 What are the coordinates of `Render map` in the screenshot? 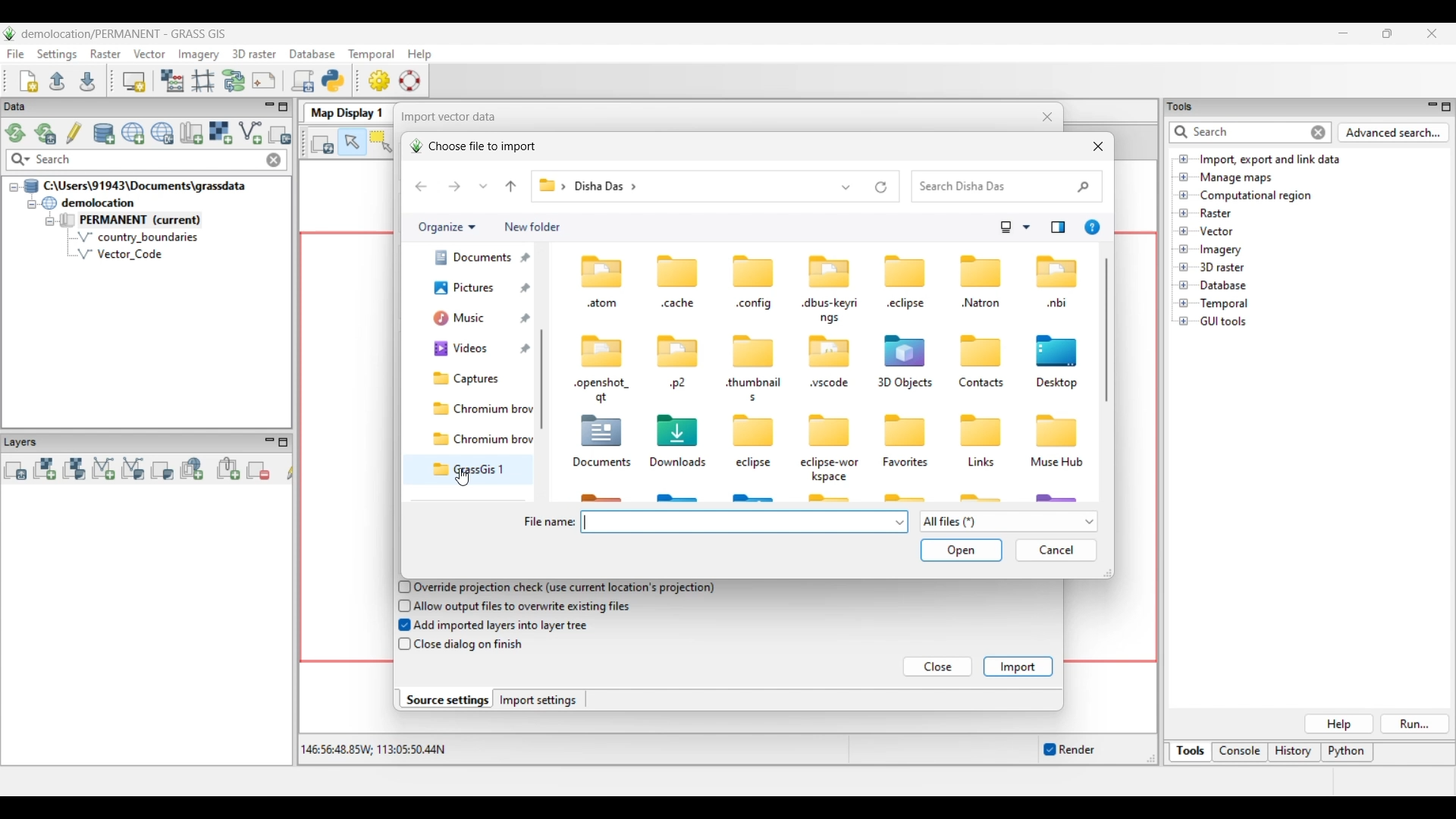 It's located at (323, 143).